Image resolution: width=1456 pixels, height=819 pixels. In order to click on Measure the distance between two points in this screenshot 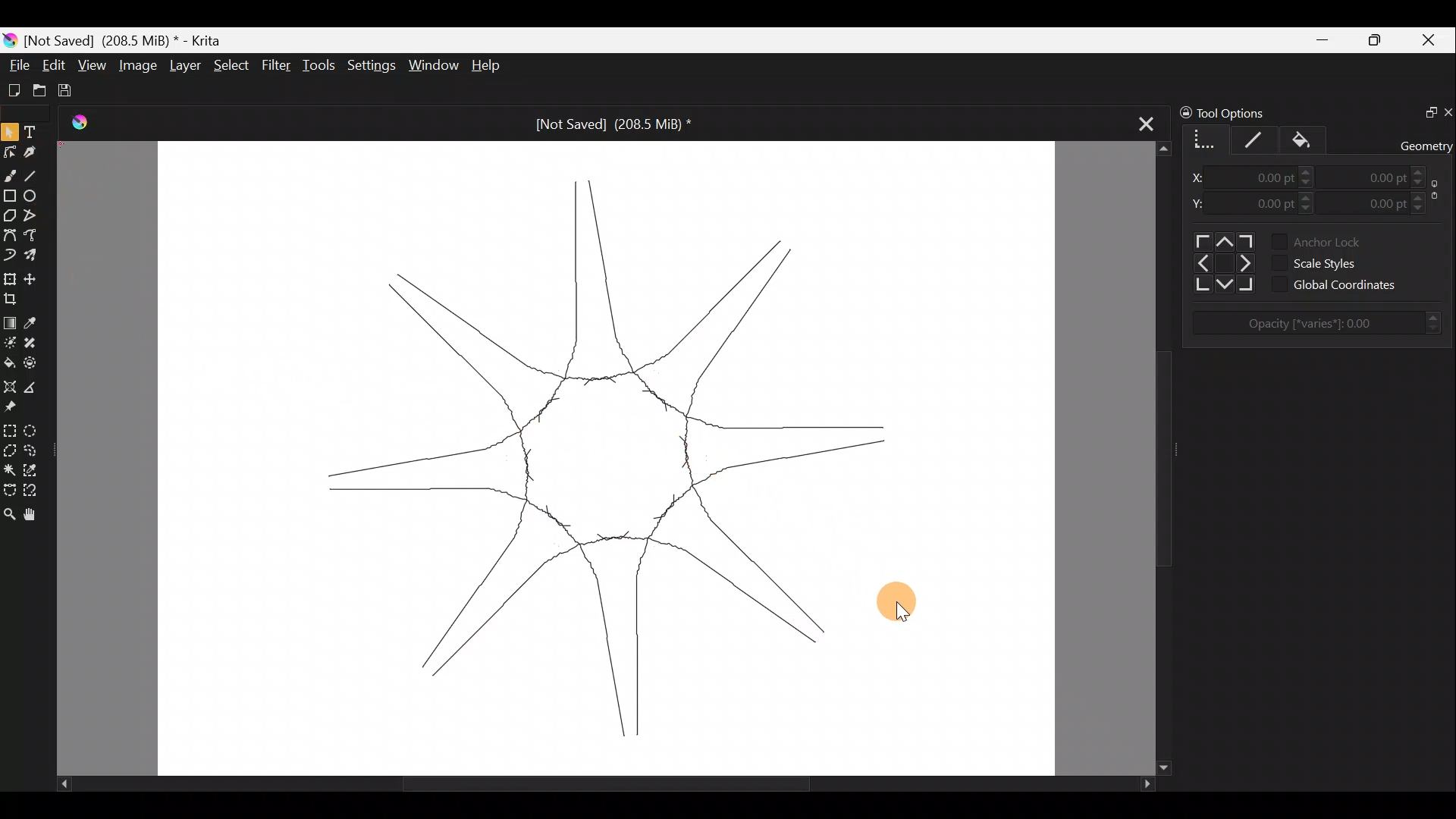, I will do `click(36, 385)`.